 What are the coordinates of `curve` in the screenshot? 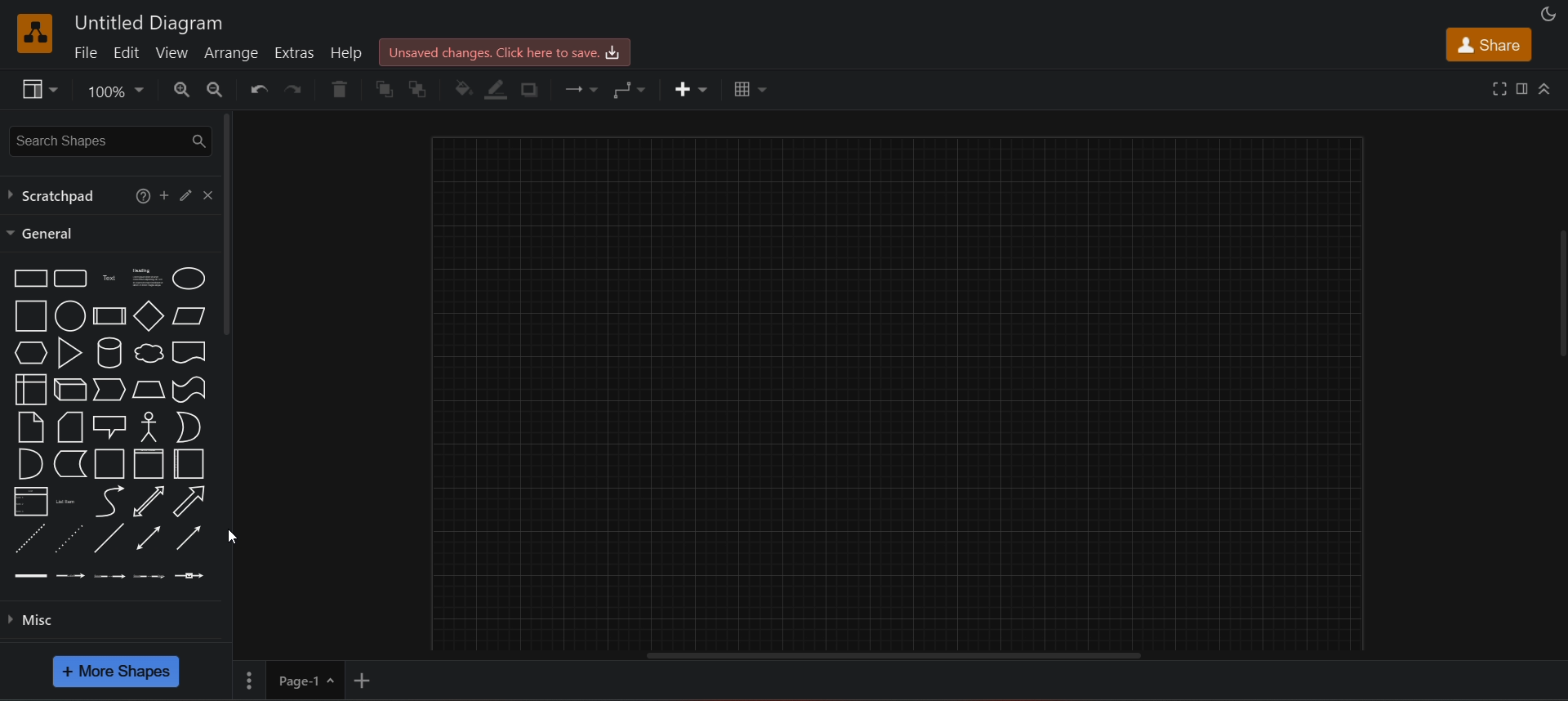 It's located at (109, 501).